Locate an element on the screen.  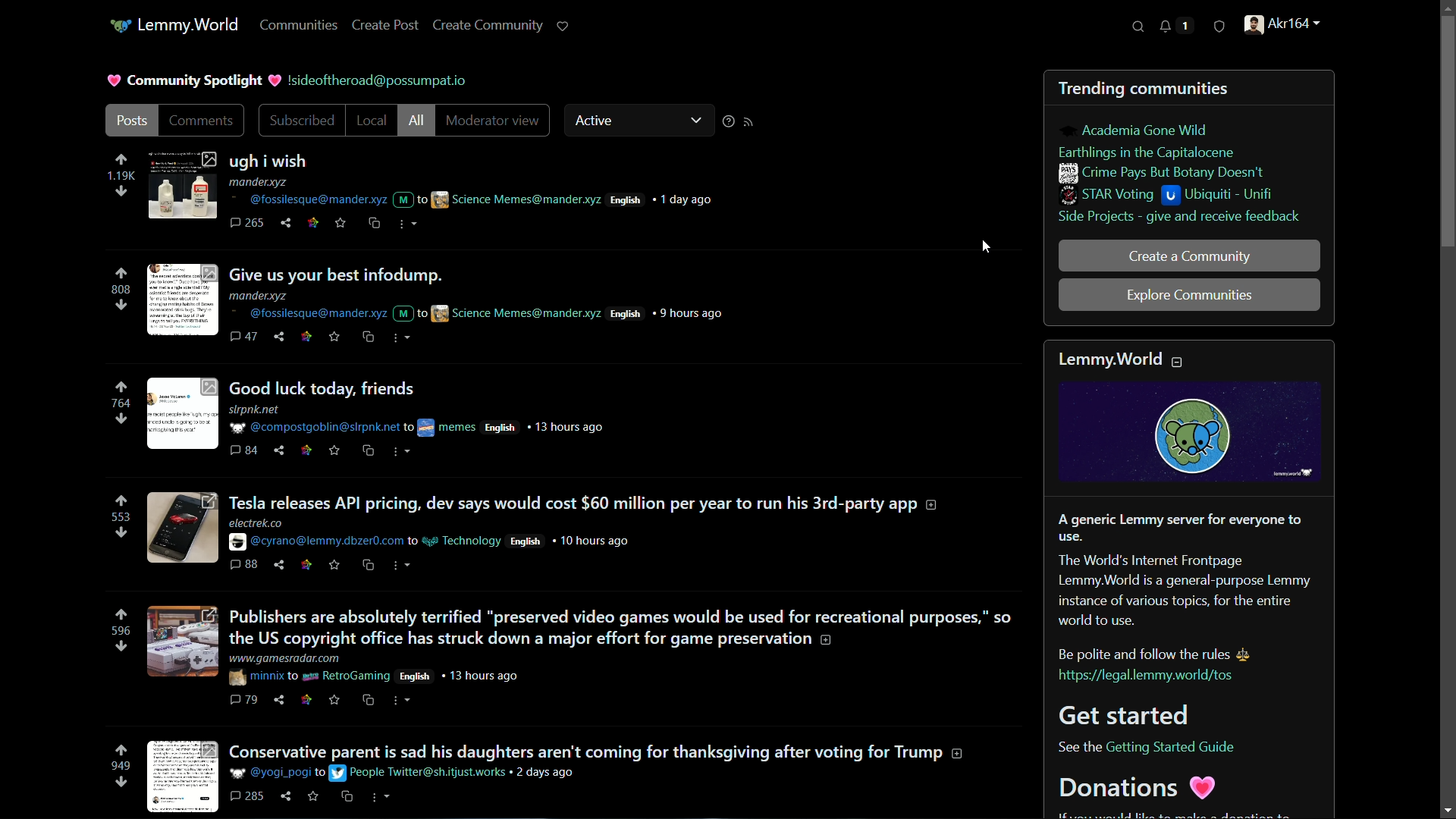
link is located at coordinates (304, 566).